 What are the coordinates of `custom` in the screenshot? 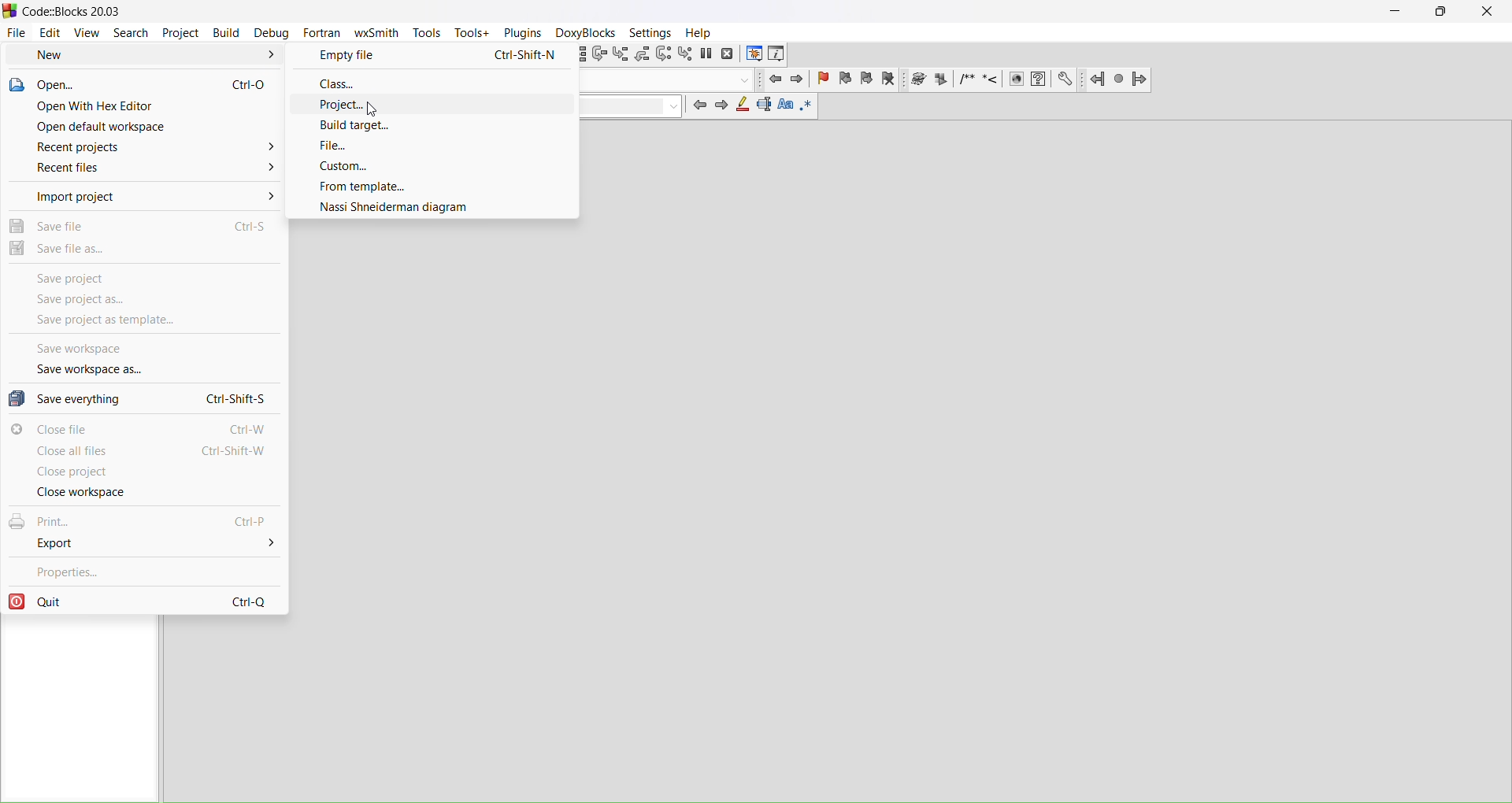 It's located at (432, 165).